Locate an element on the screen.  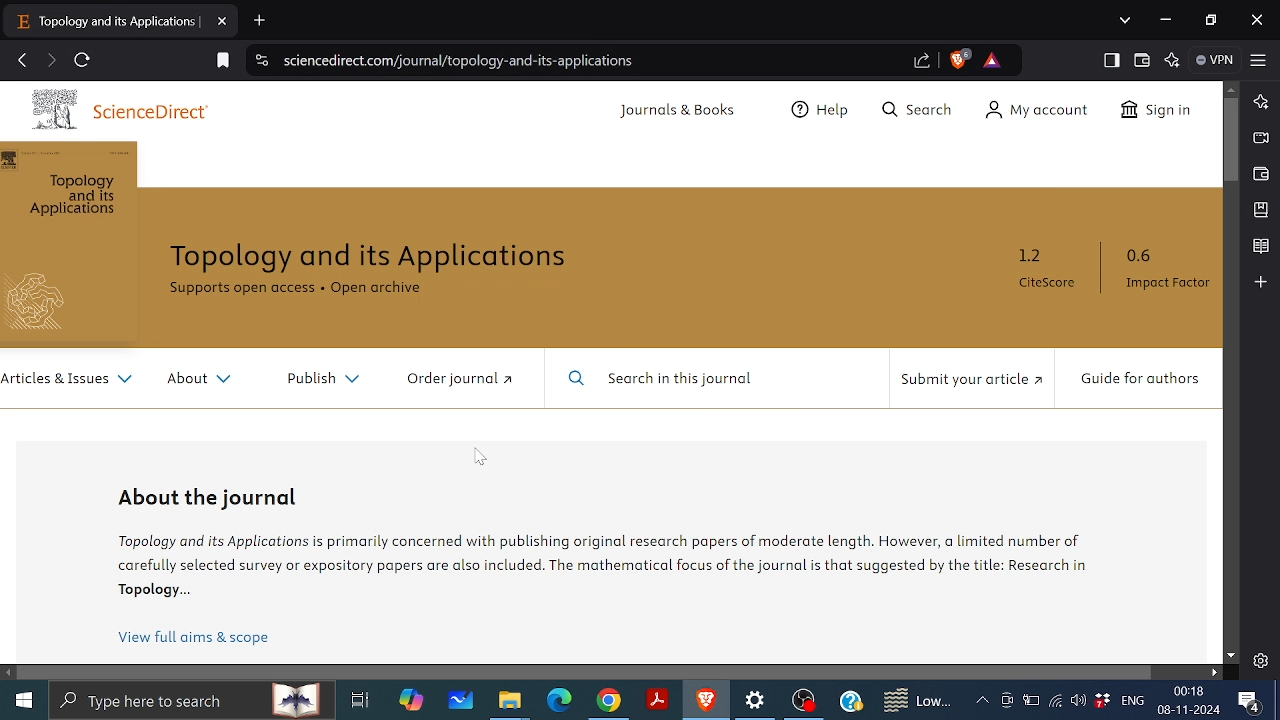
articles & issues is located at coordinates (69, 383).